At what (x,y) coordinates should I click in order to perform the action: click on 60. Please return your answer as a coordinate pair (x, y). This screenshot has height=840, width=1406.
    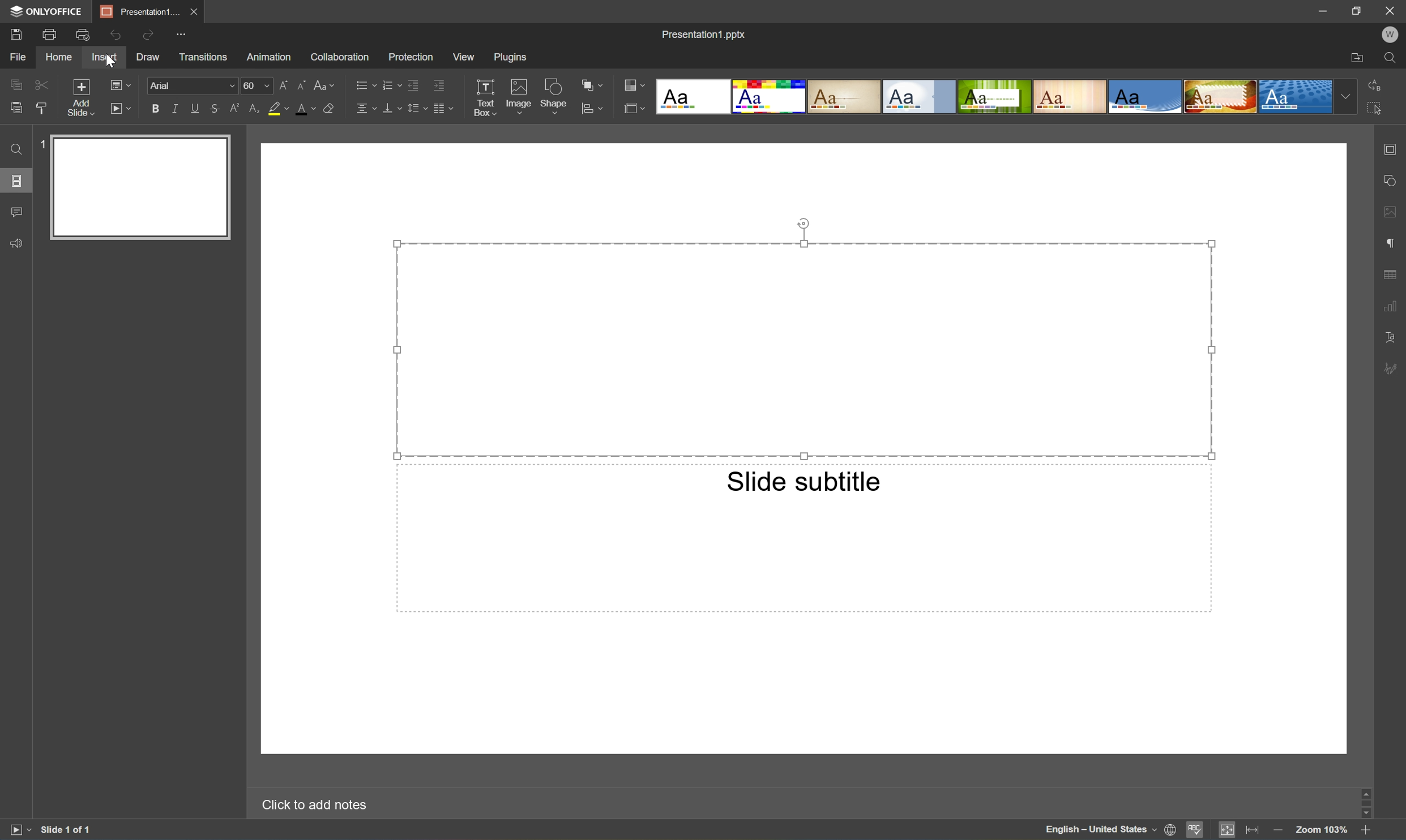
    Looking at the image, I should click on (250, 84).